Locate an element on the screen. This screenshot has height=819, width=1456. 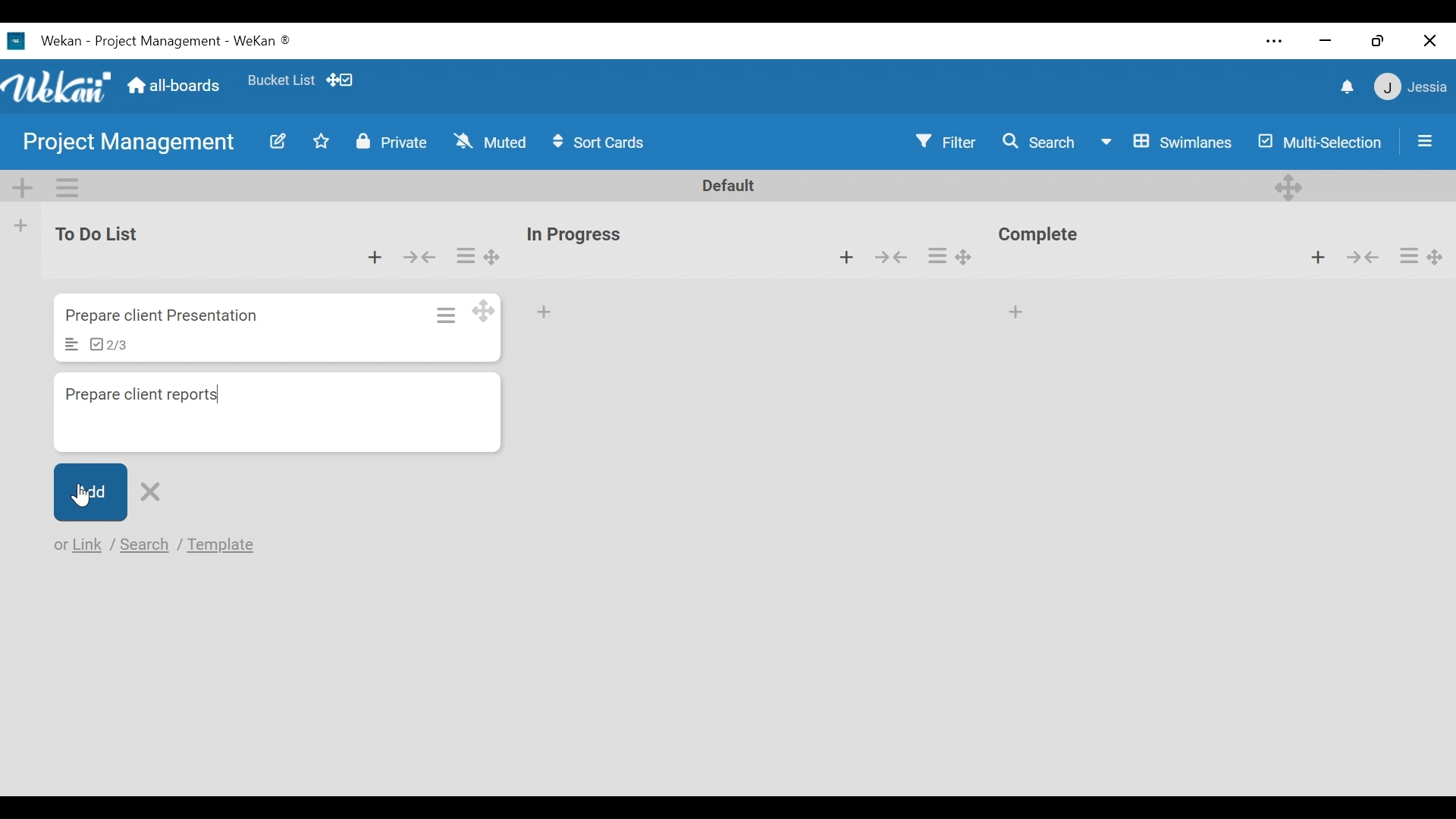
List actions is located at coordinates (66, 186).